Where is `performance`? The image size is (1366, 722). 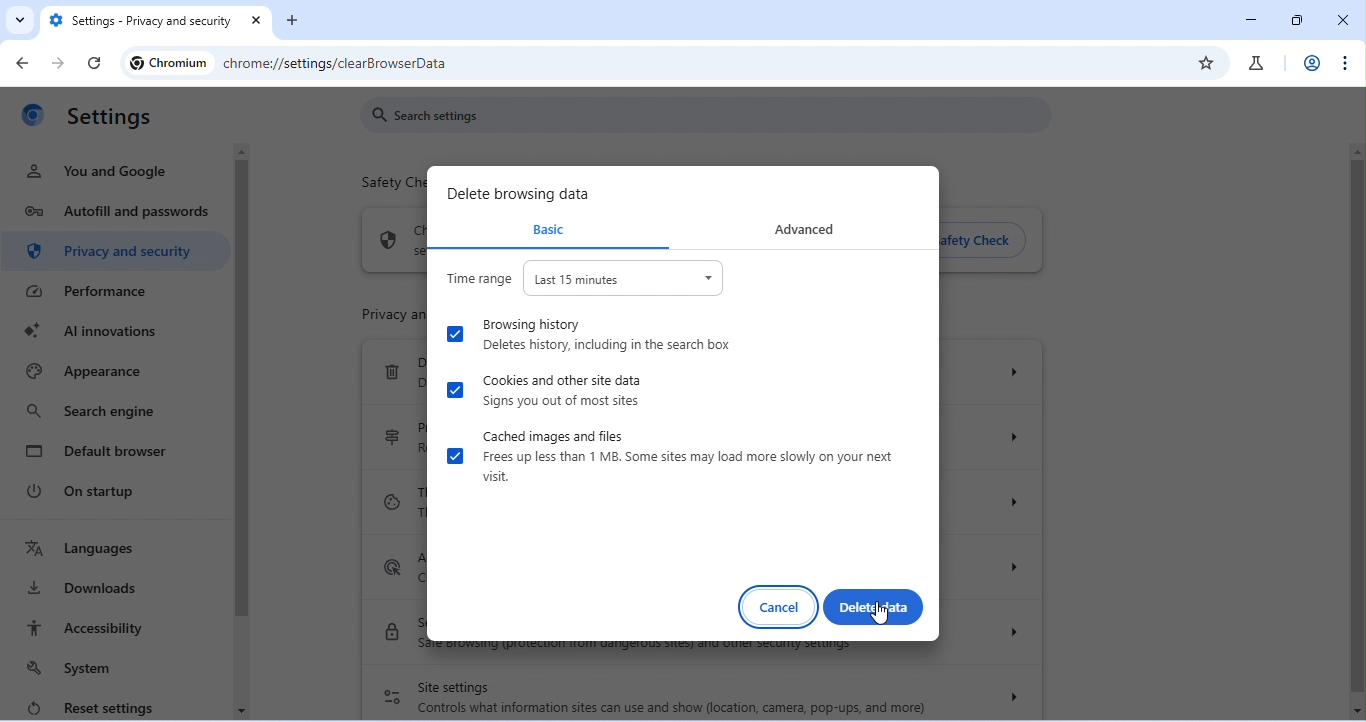
performance is located at coordinates (101, 292).